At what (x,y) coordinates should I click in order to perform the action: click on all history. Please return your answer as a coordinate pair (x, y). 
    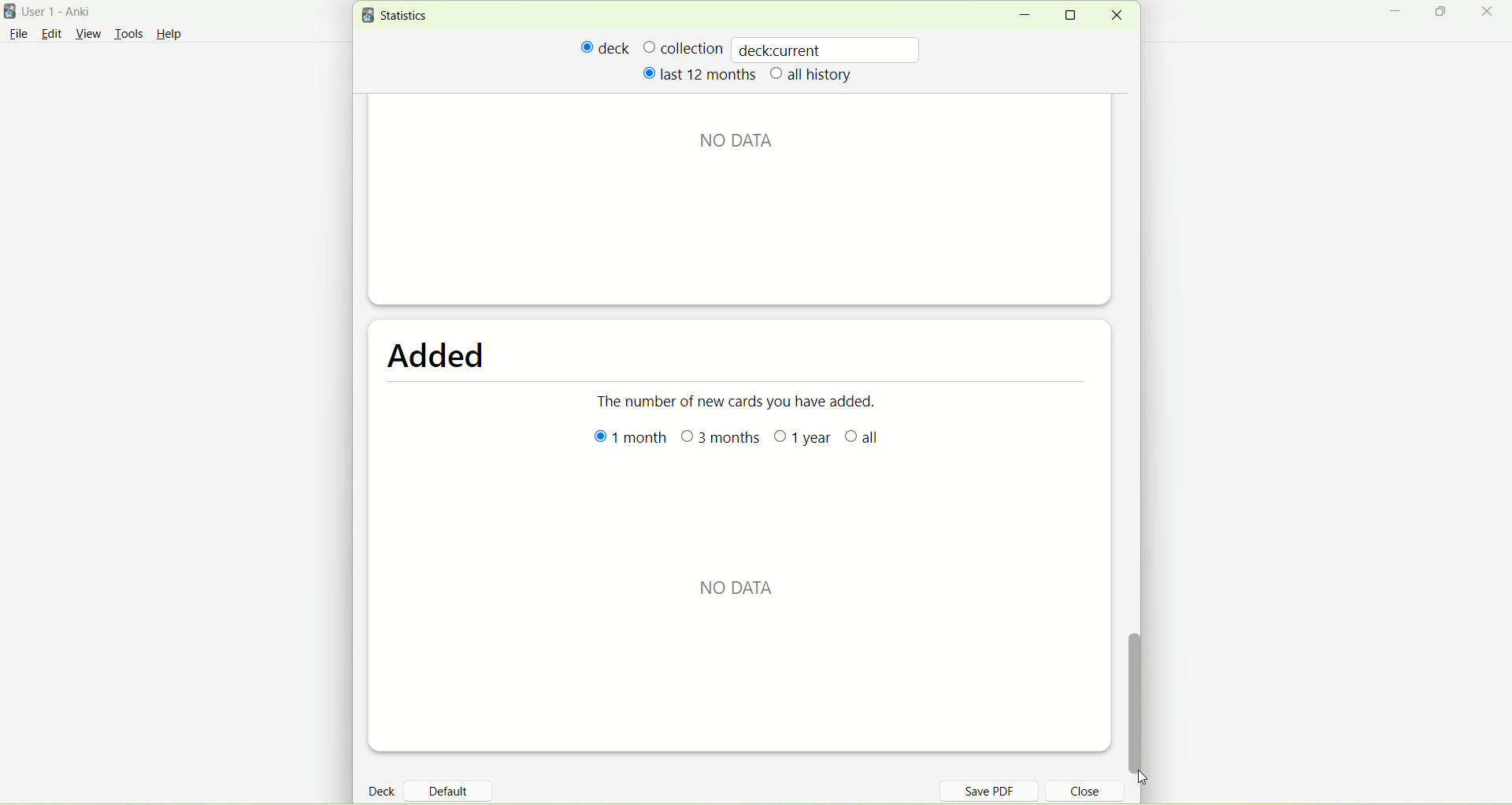
    Looking at the image, I should click on (812, 76).